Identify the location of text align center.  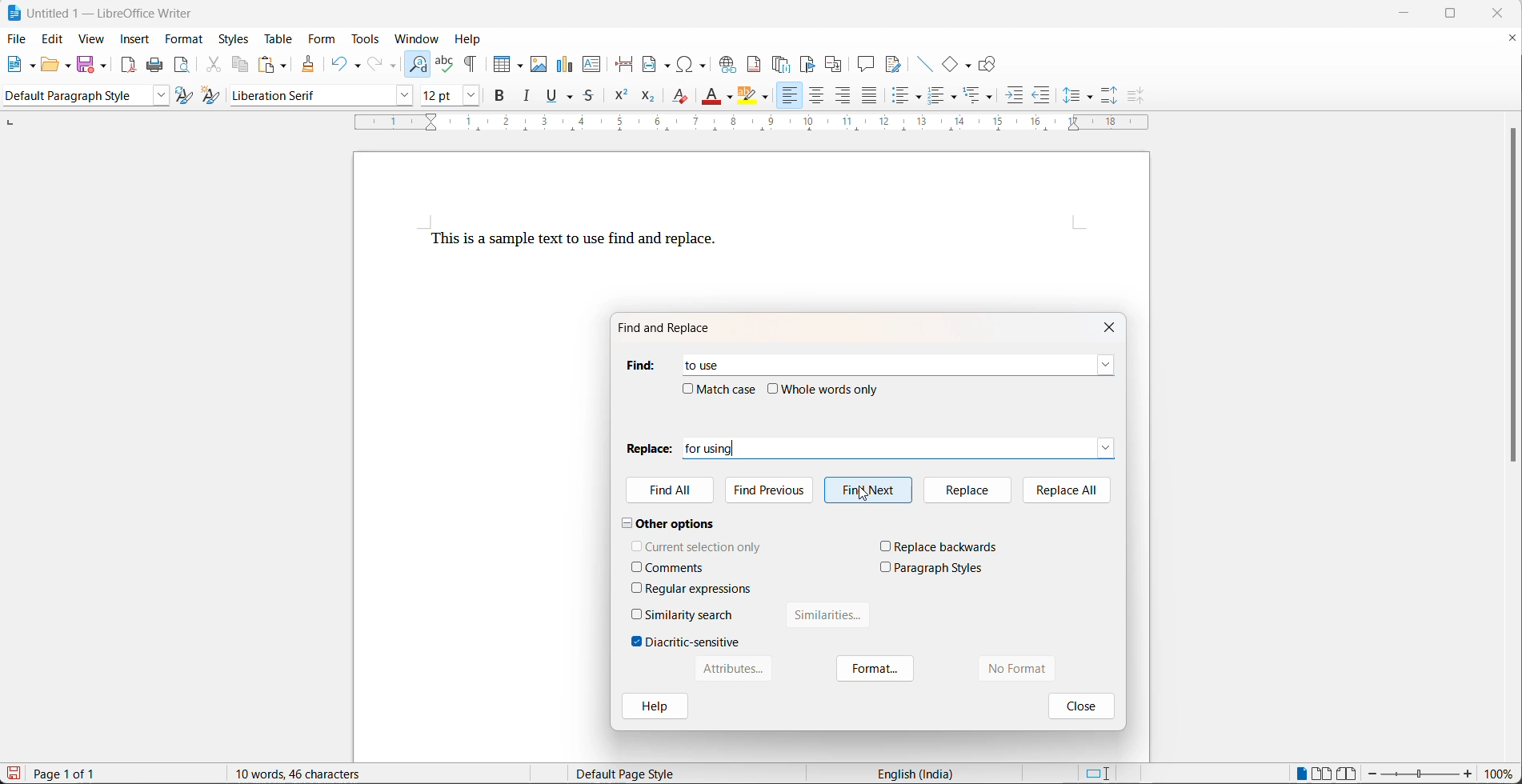
(817, 97).